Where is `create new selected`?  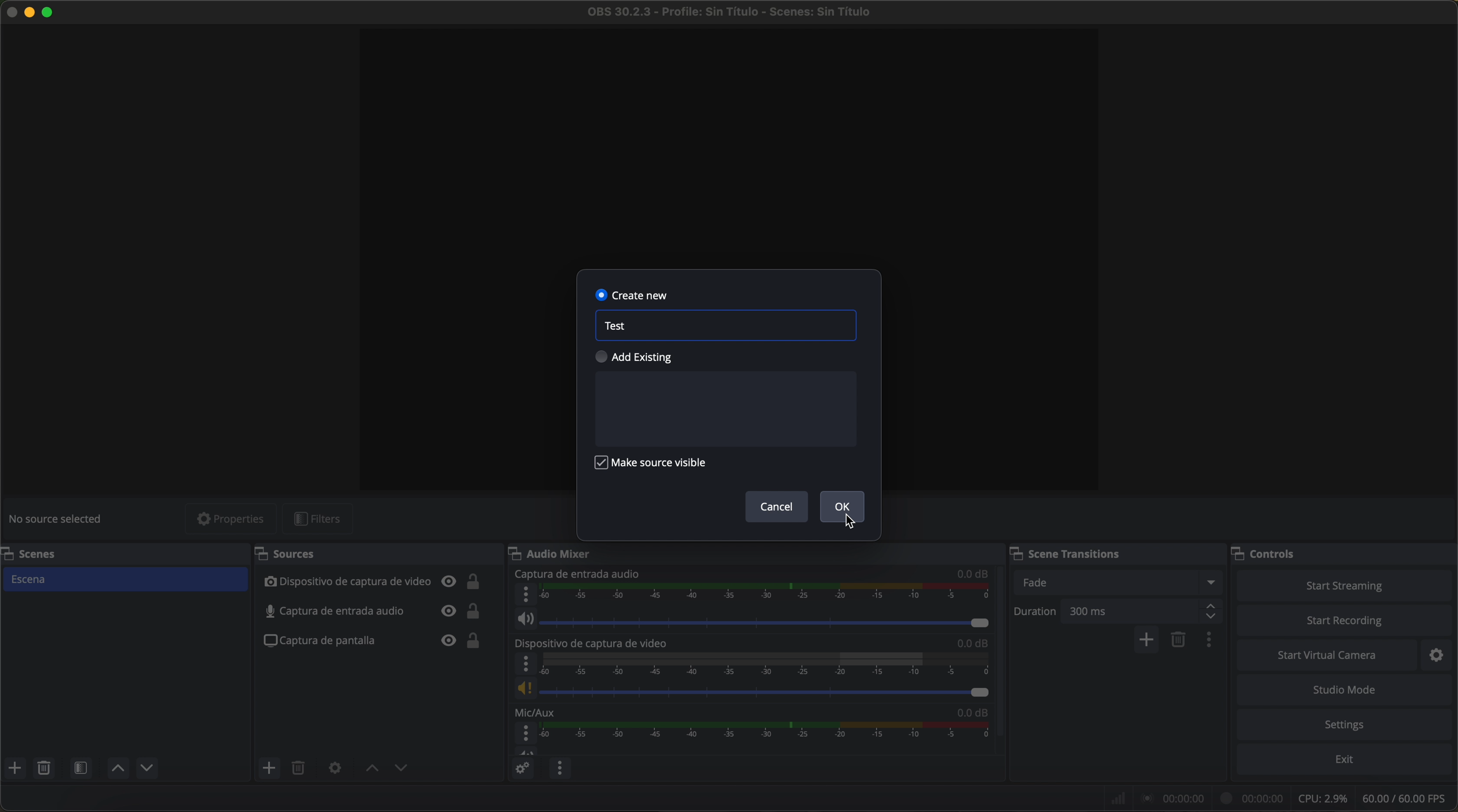 create new selected is located at coordinates (633, 294).